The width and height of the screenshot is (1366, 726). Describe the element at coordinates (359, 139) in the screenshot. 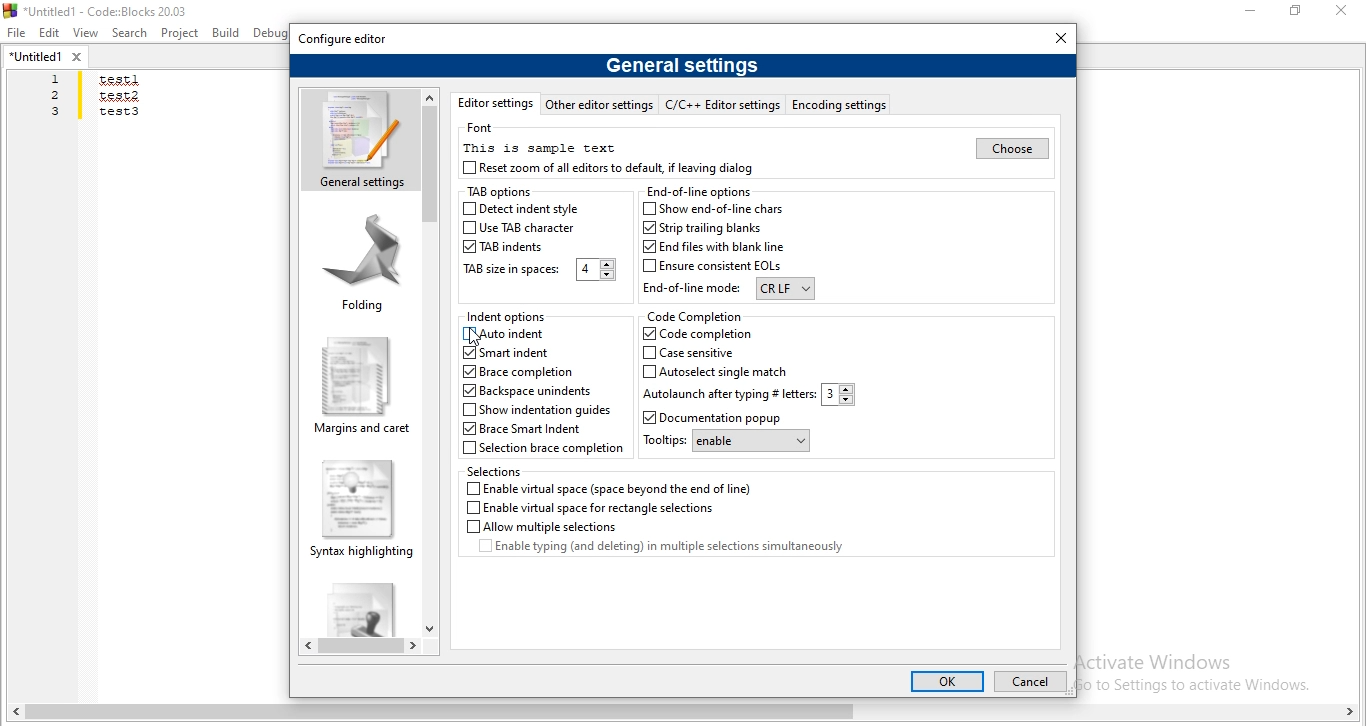

I see `general settings` at that location.